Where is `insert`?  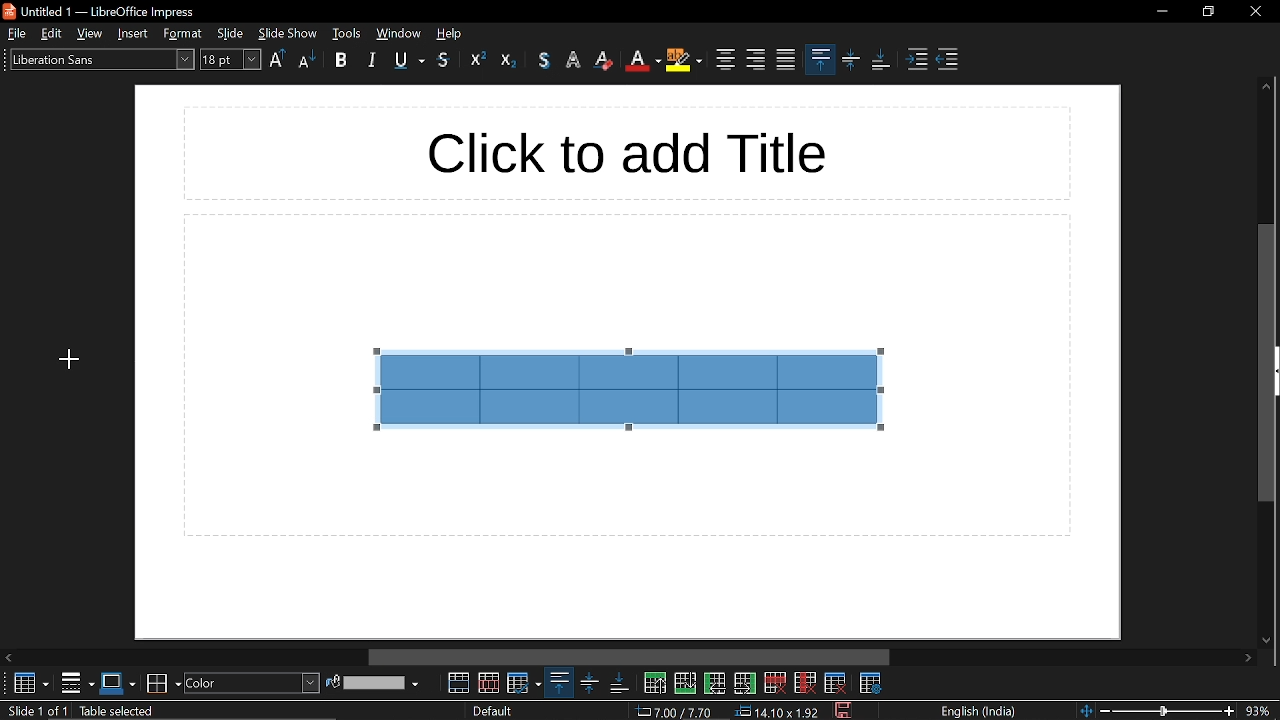
insert is located at coordinates (132, 34).